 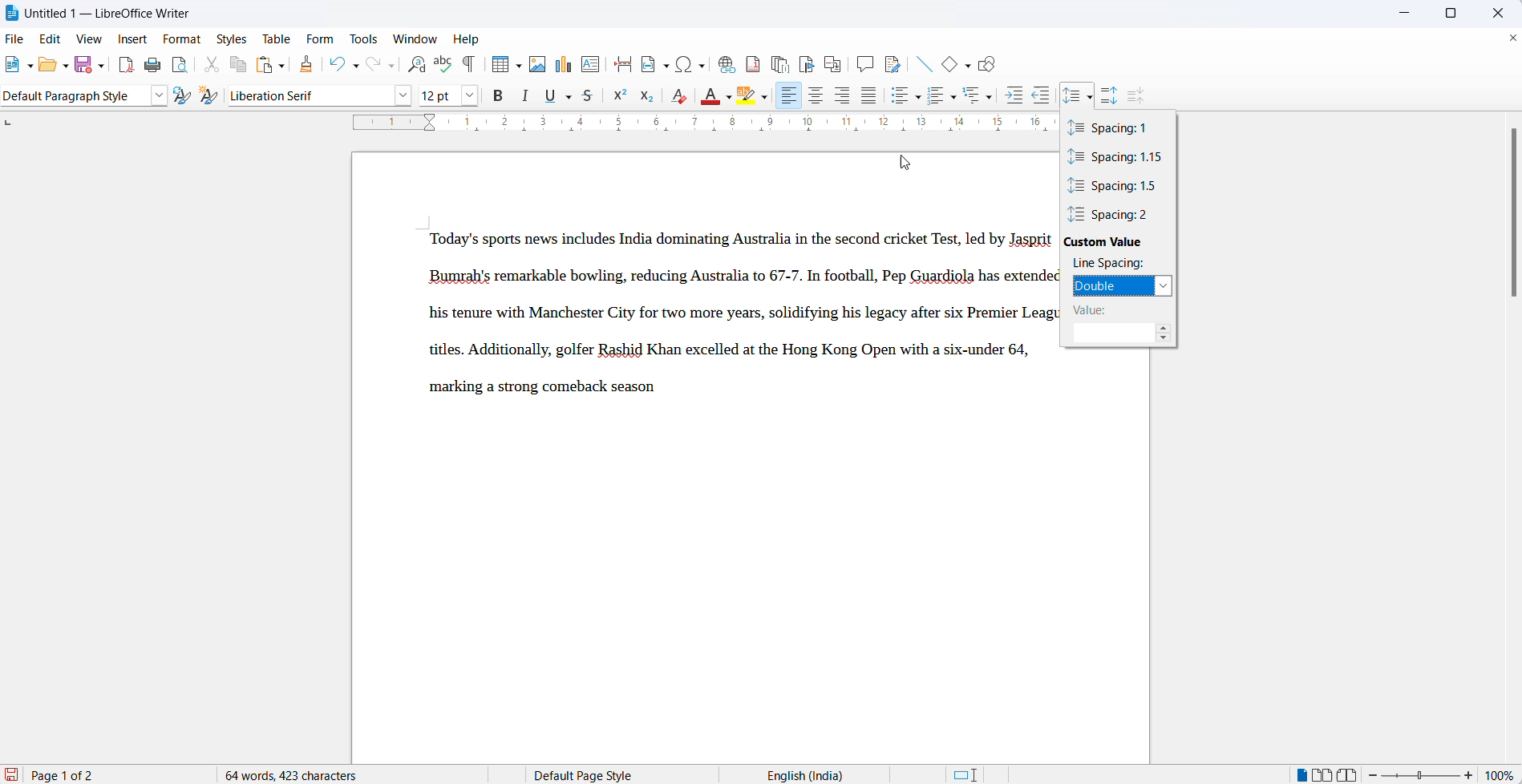 I want to click on find and relace, so click(x=417, y=66).